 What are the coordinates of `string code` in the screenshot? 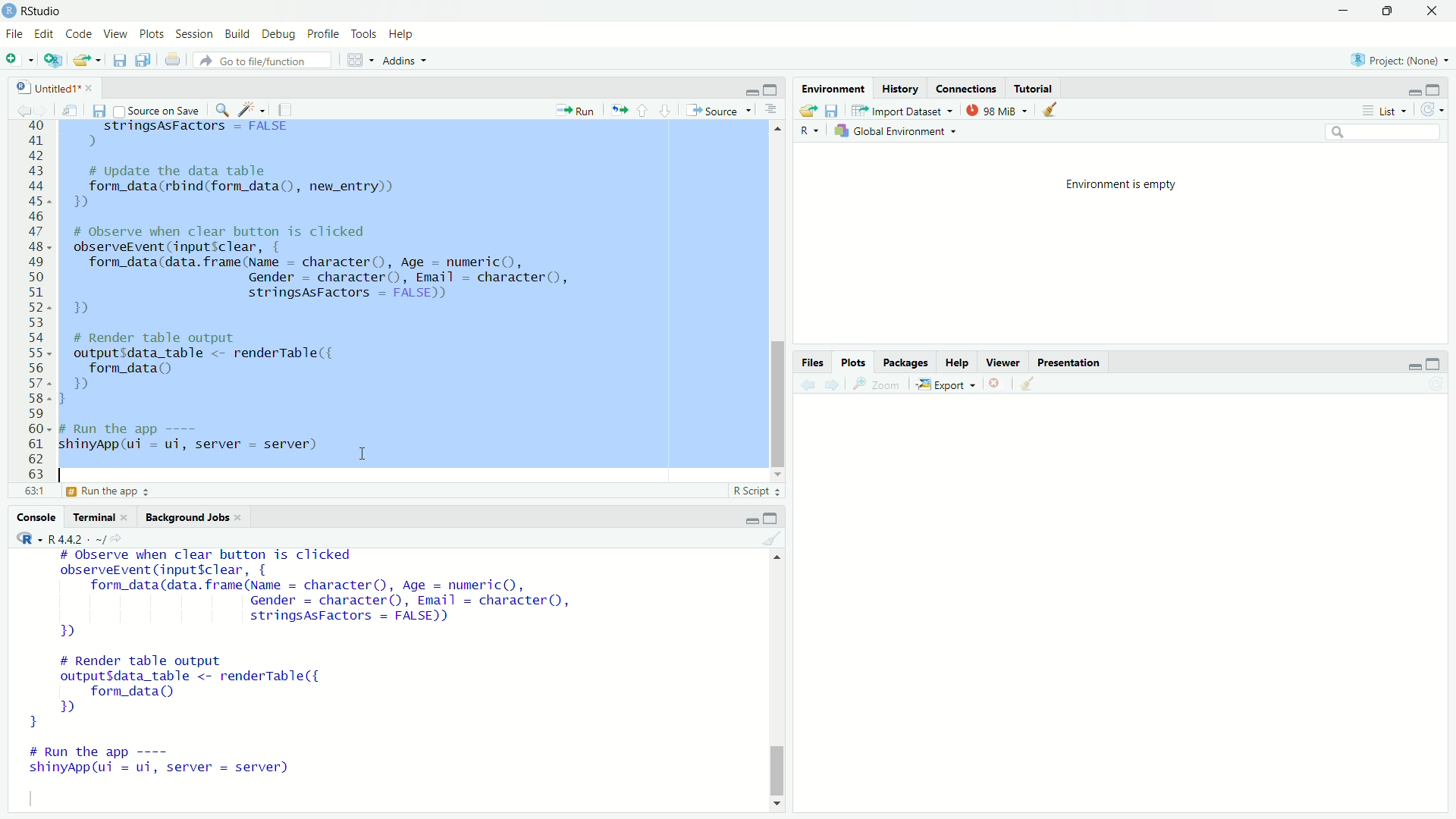 It's located at (187, 134).